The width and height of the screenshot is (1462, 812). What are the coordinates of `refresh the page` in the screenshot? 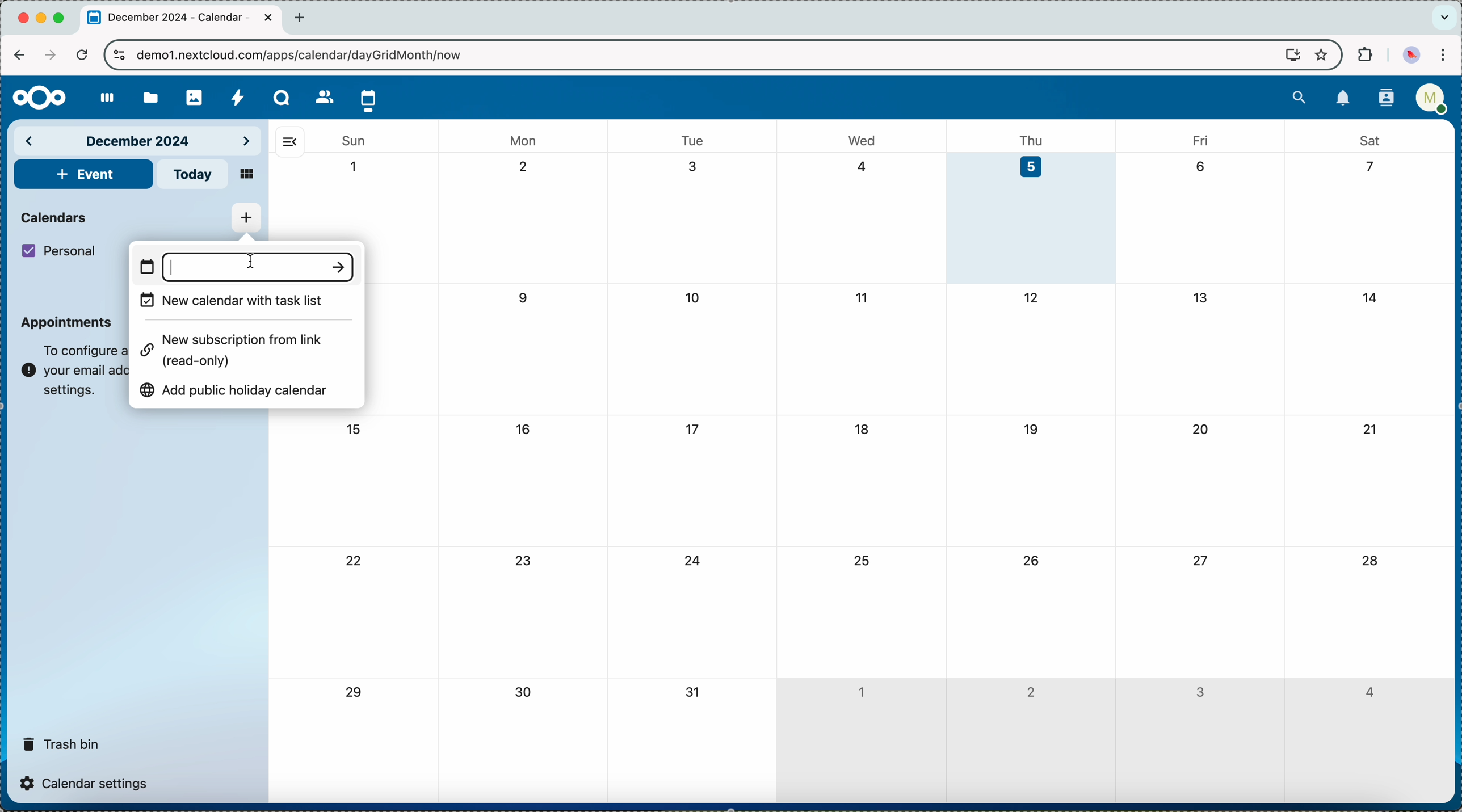 It's located at (81, 54).